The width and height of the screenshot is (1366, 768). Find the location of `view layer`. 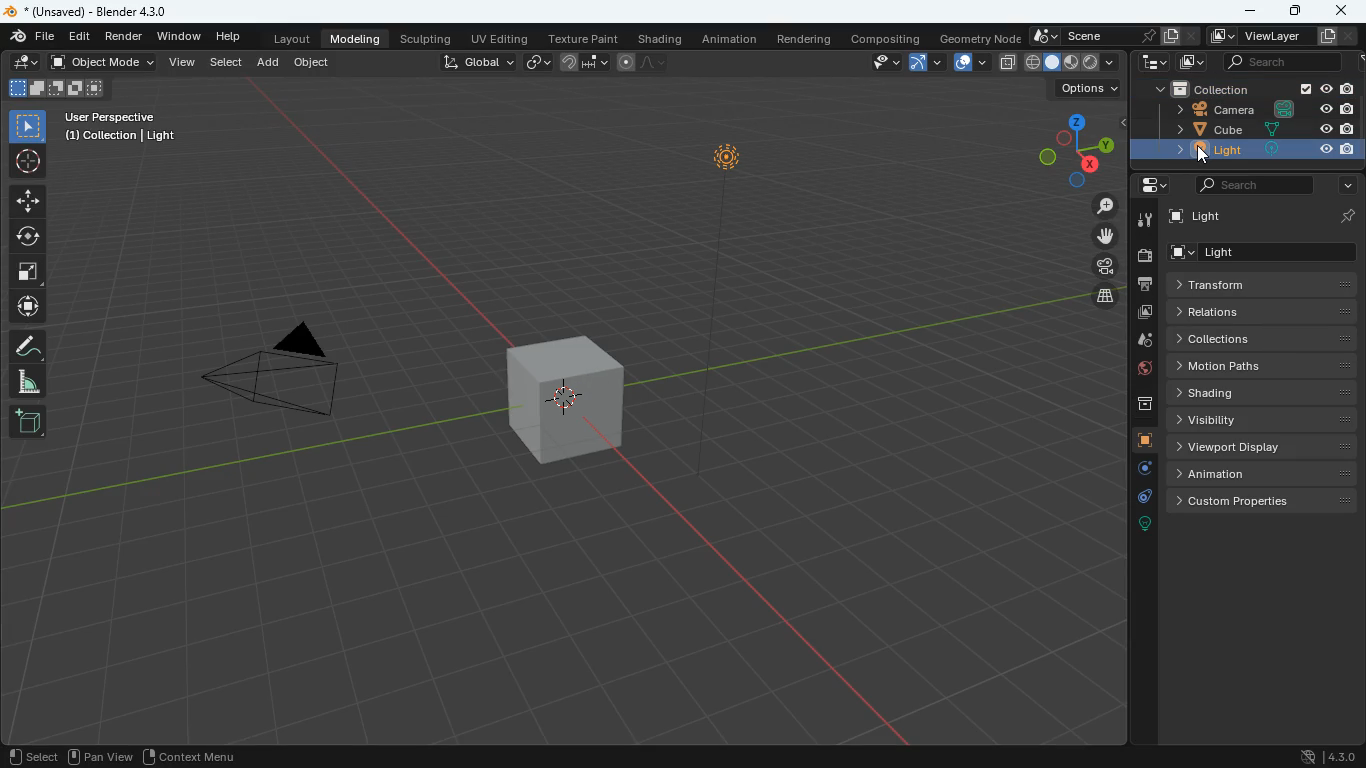

view layer is located at coordinates (1272, 36).